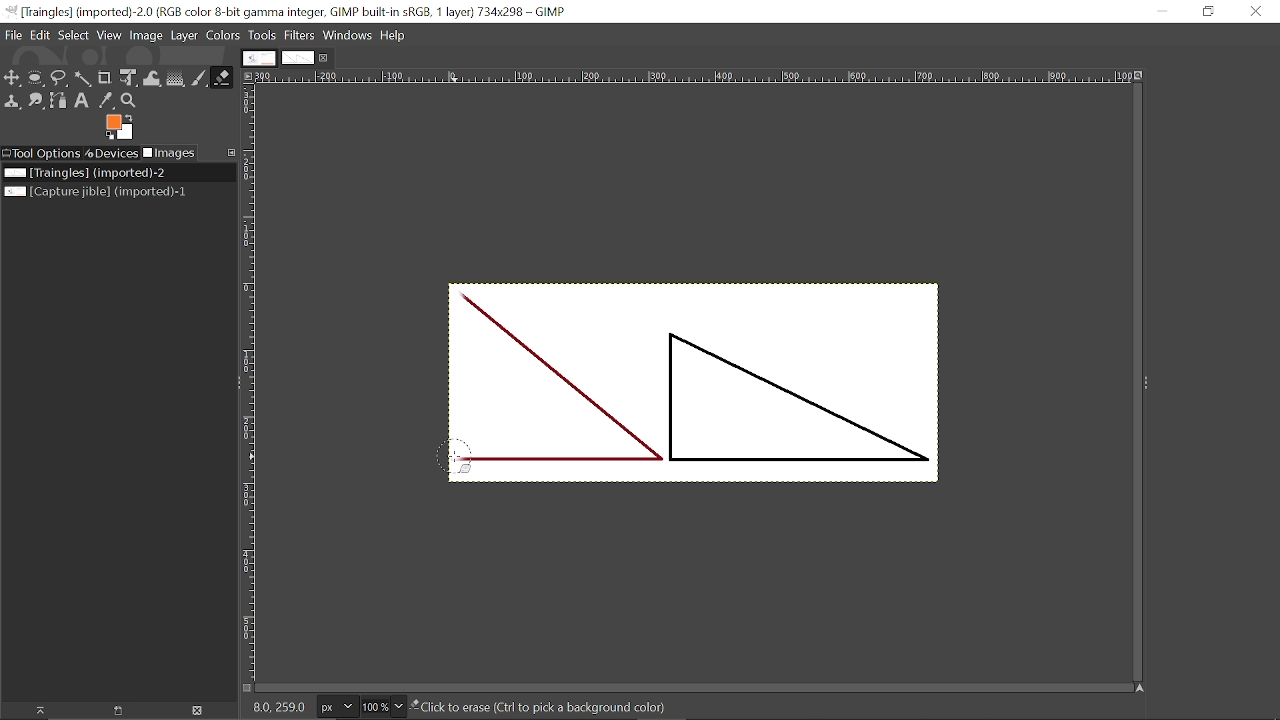 The width and height of the screenshot is (1280, 720). I want to click on Toggle quick mask on/off, so click(247, 688).